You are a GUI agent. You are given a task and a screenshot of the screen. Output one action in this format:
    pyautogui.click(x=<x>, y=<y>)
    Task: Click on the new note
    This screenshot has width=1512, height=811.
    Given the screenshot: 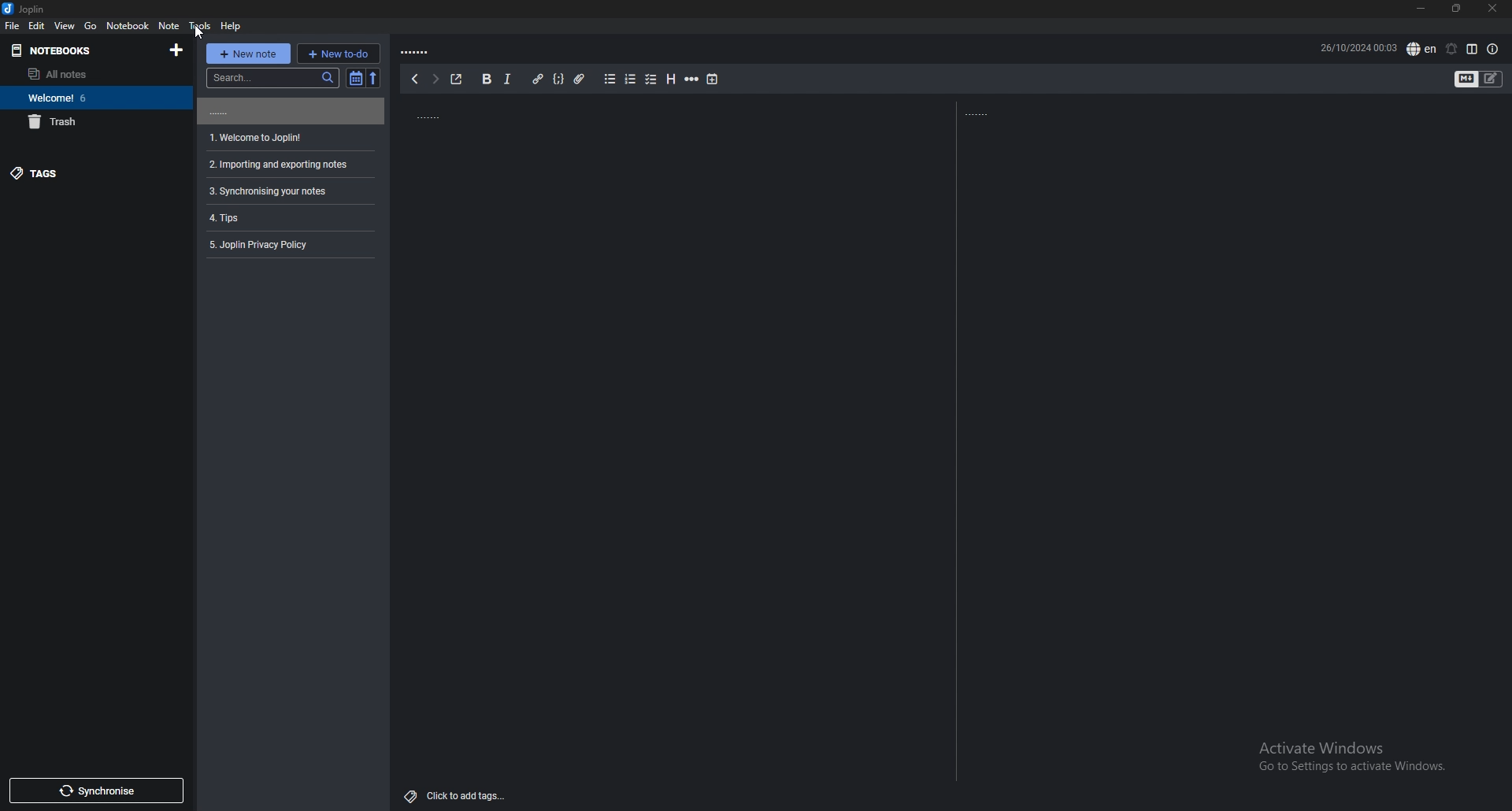 What is the action you would take?
    pyautogui.click(x=248, y=53)
    